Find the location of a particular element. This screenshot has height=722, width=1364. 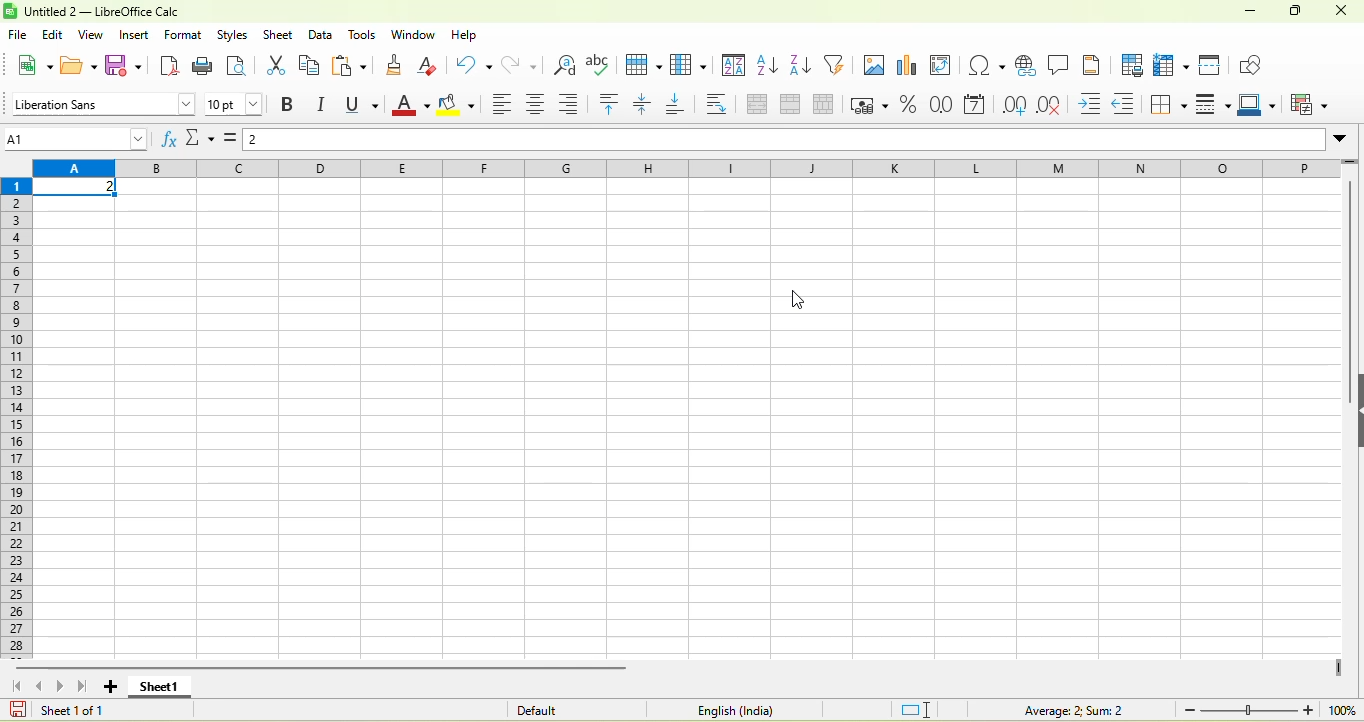

merge and center is located at coordinates (764, 106).